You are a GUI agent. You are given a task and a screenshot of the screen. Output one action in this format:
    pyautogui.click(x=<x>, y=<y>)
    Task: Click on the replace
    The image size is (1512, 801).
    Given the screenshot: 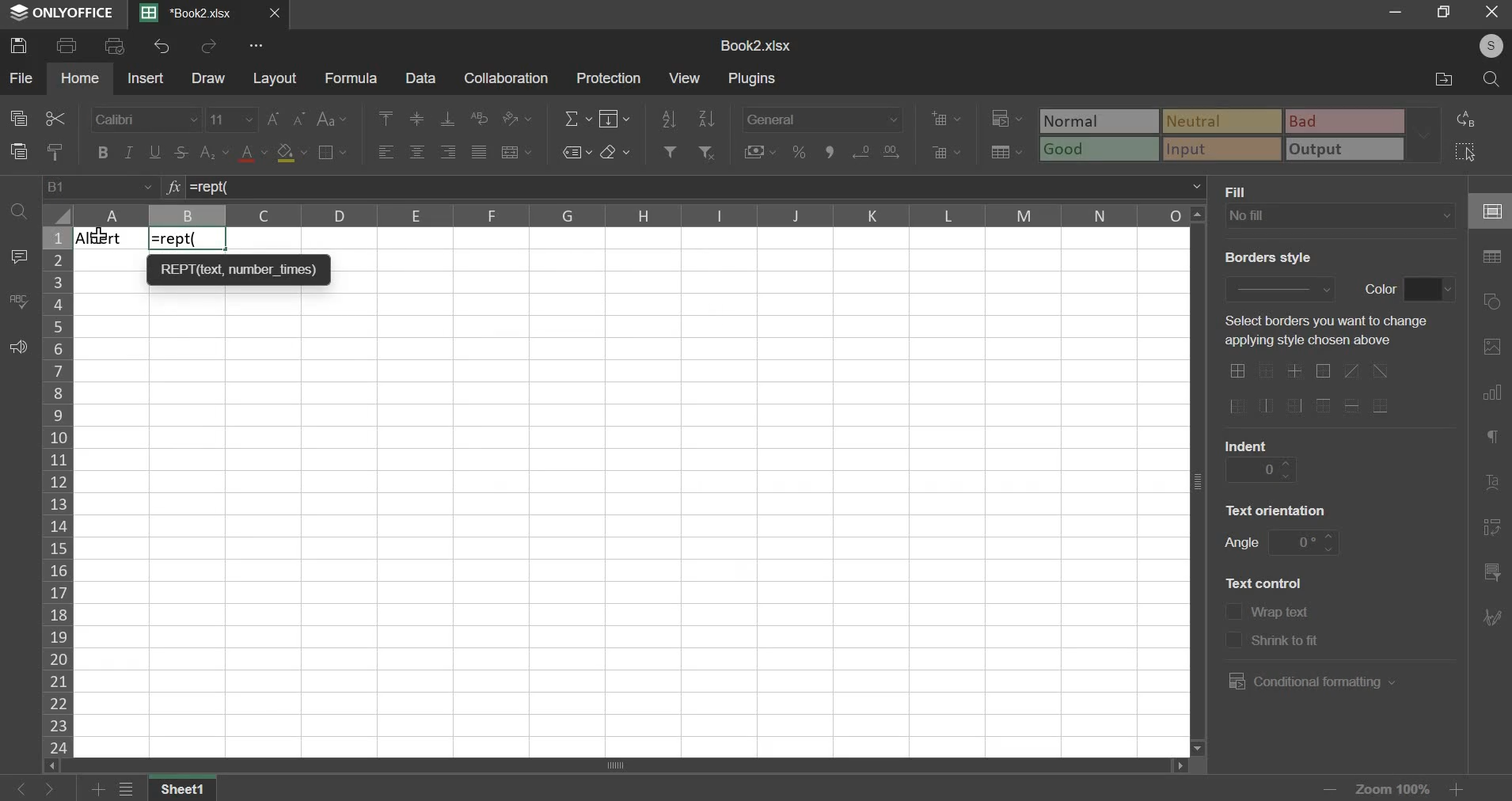 What is the action you would take?
    pyautogui.click(x=1471, y=120)
    